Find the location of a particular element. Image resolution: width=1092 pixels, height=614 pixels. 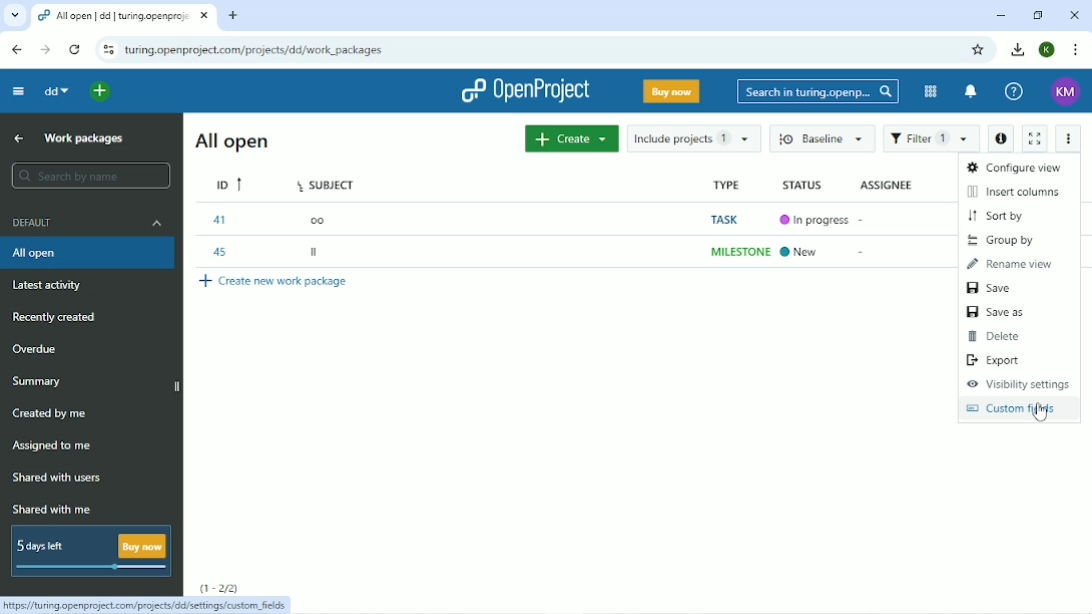

Collapse project menu is located at coordinates (19, 92).